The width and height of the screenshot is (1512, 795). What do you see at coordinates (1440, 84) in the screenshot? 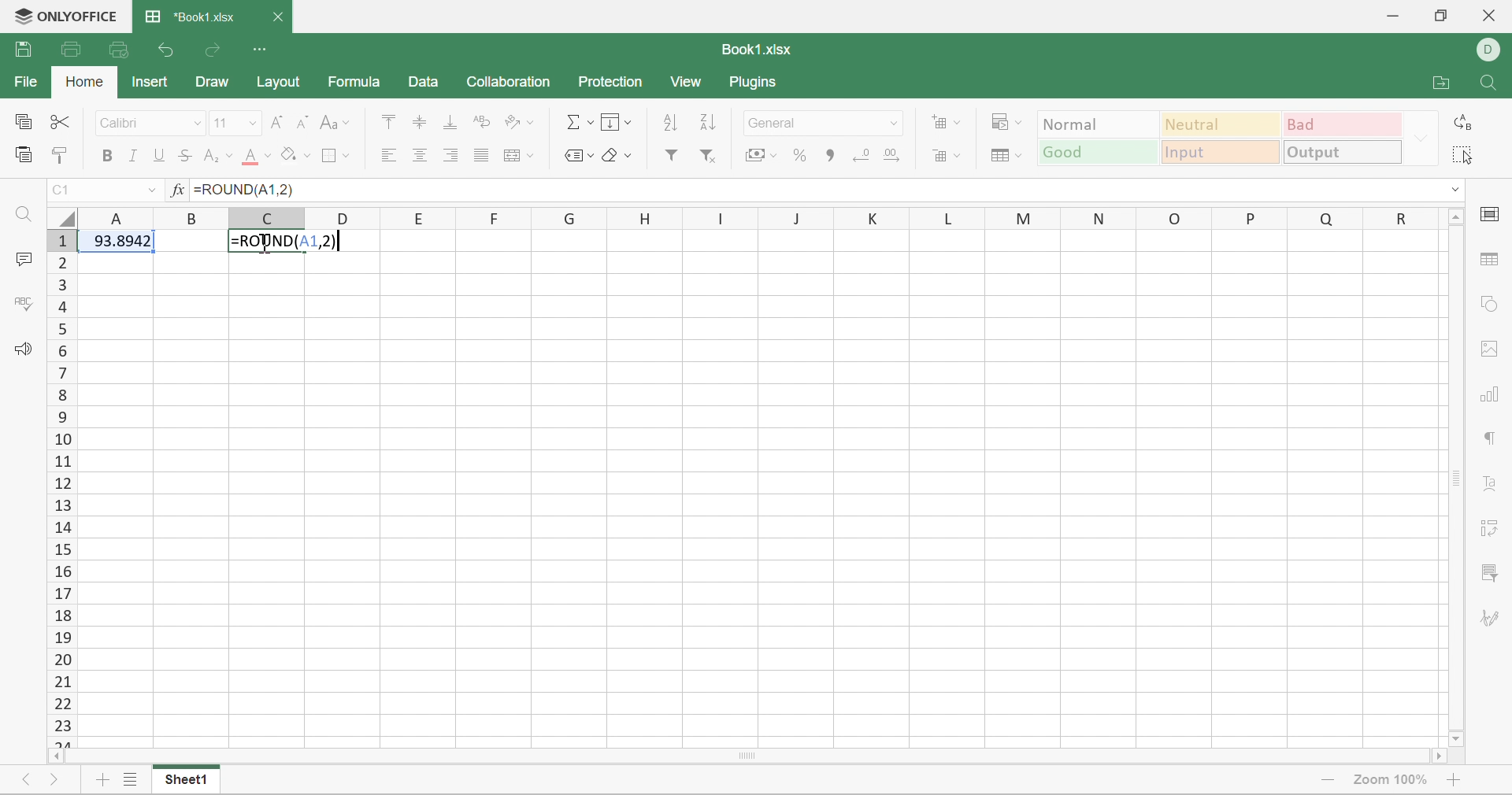
I see `Open file location` at bounding box center [1440, 84].